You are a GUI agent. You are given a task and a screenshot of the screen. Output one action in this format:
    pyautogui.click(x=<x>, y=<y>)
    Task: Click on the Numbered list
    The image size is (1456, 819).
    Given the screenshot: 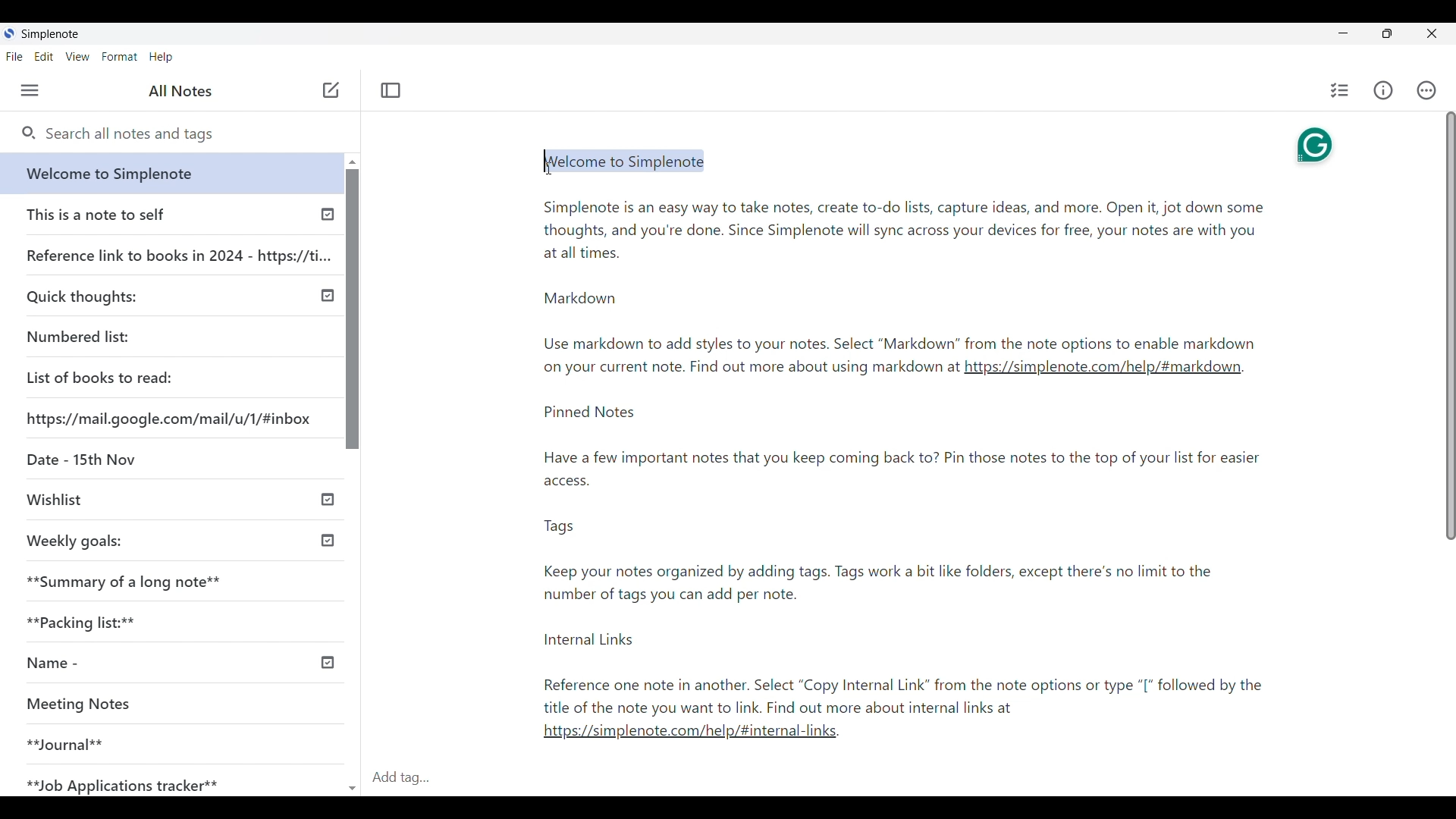 What is the action you would take?
    pyautogui.click(x=77, y=337)
    